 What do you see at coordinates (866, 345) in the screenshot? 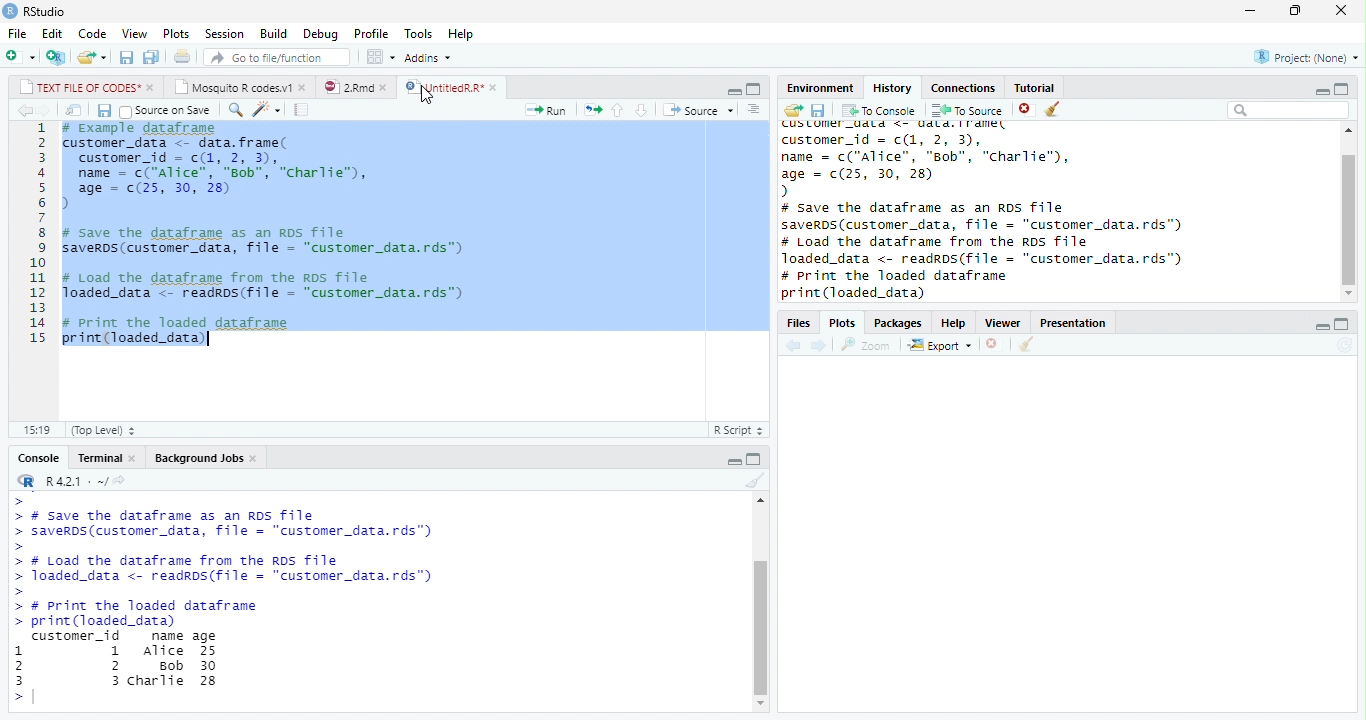
I see `Zoom` at bounding box center [866, 345].